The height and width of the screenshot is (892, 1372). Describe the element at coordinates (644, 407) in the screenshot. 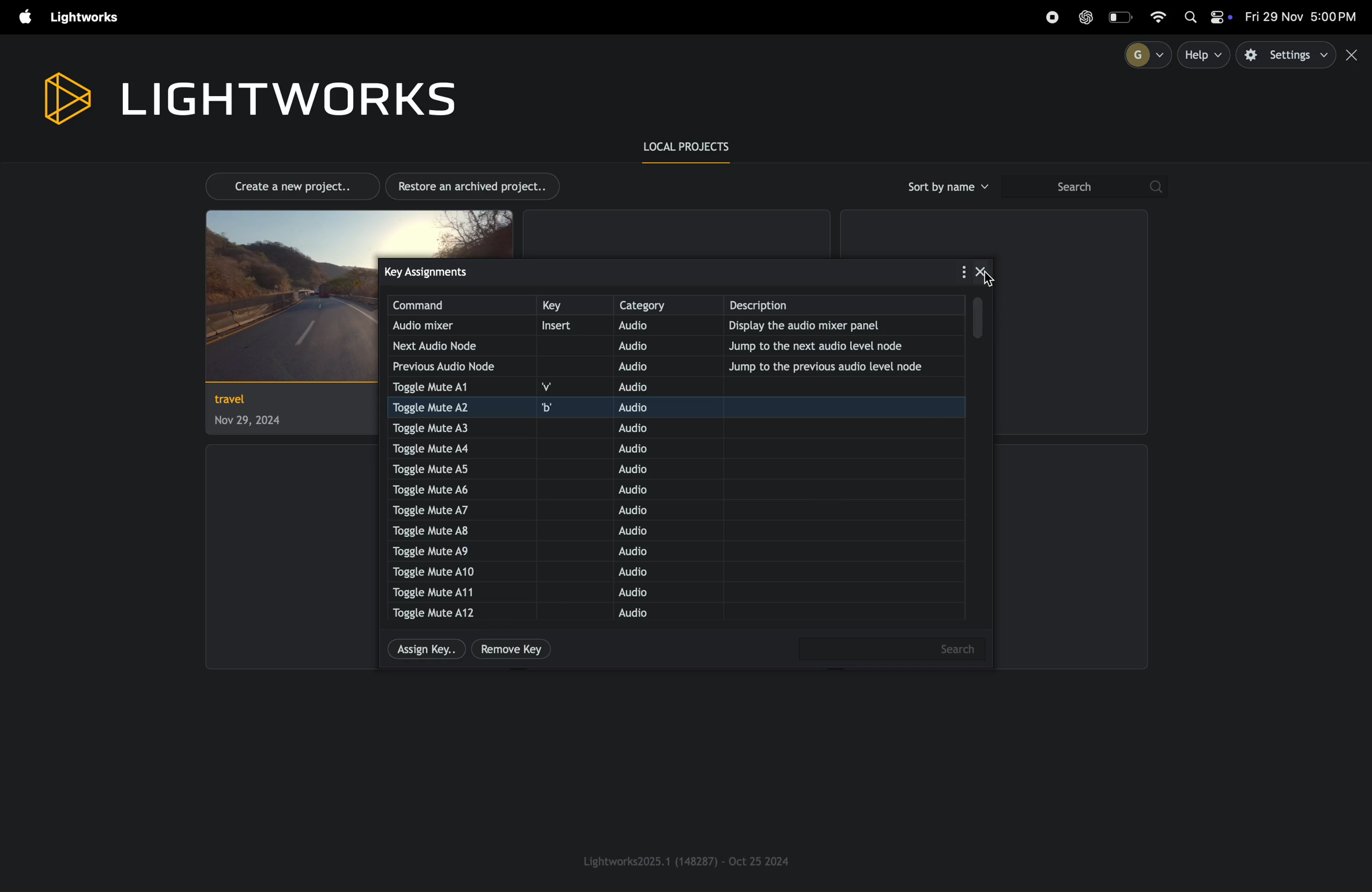

I see `audio` at that location.